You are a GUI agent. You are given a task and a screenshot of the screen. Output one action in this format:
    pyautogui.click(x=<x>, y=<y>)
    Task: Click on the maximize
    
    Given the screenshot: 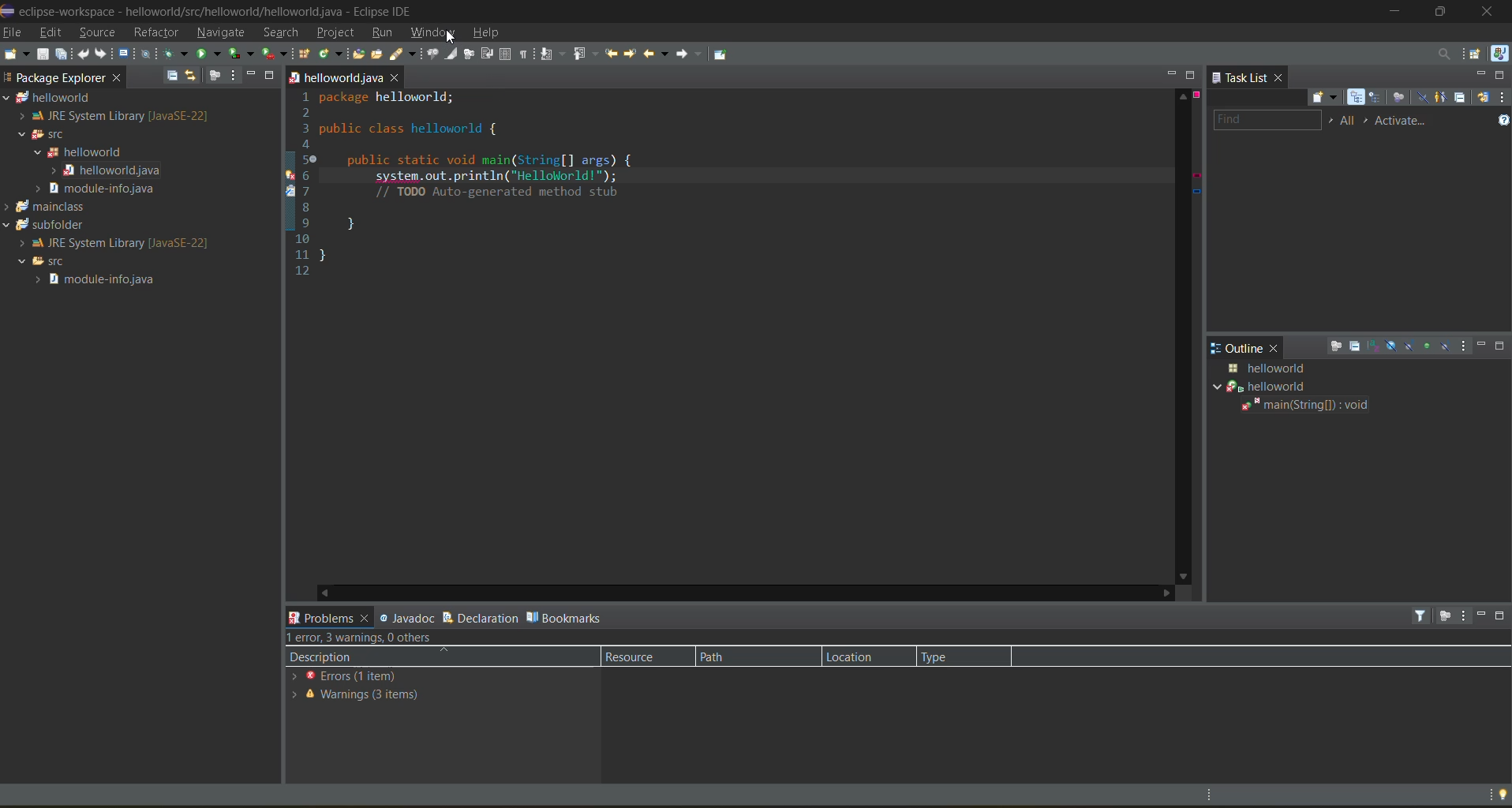 What is the action you would take?
    pyautogui.click(x=1441, y=13)
    